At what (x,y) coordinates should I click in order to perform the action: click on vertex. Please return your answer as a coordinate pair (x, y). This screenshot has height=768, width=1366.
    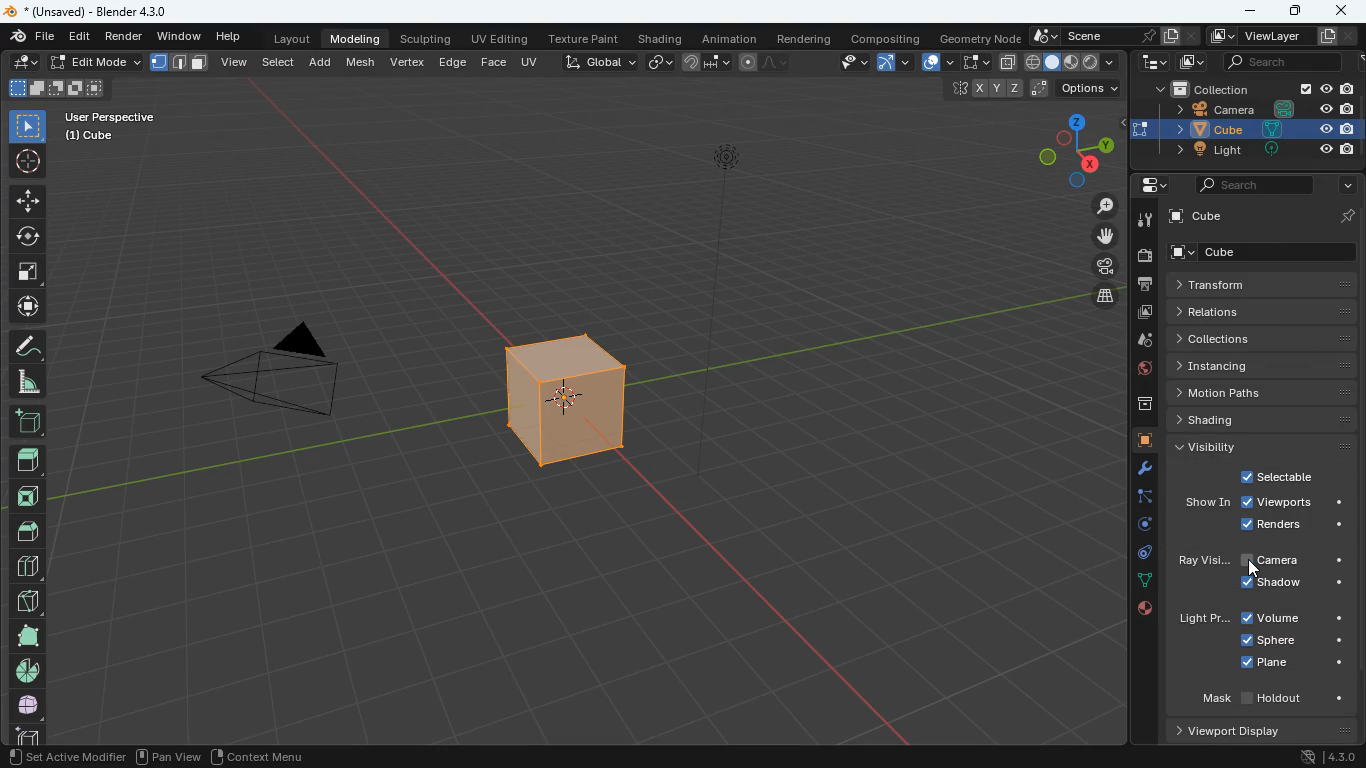
    Looking at the image, I should click on (407, 65).